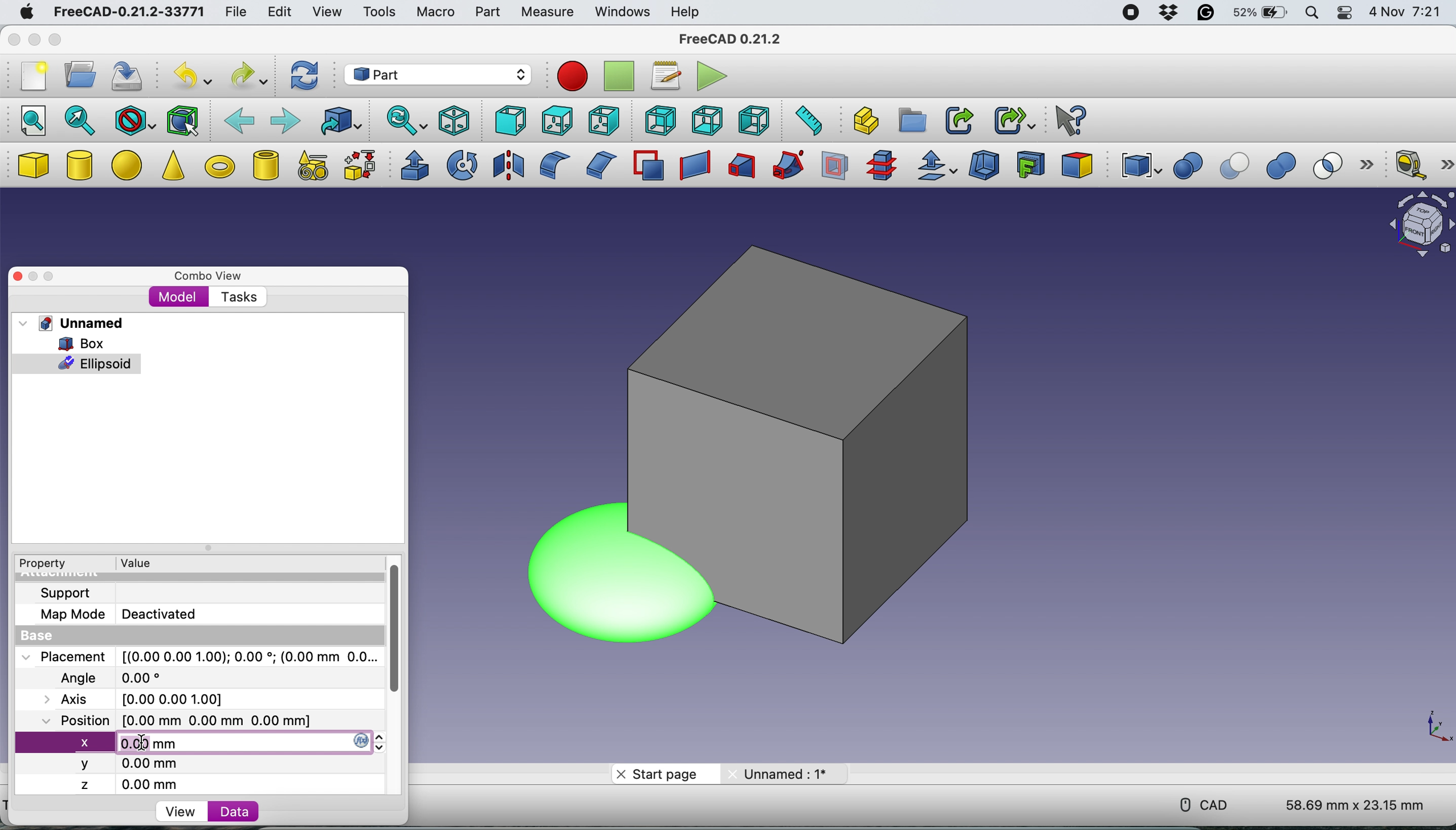  What do you see at coordinates (382, 15) in the screenshot?
I see `tools` at bounding box center [382, 15].